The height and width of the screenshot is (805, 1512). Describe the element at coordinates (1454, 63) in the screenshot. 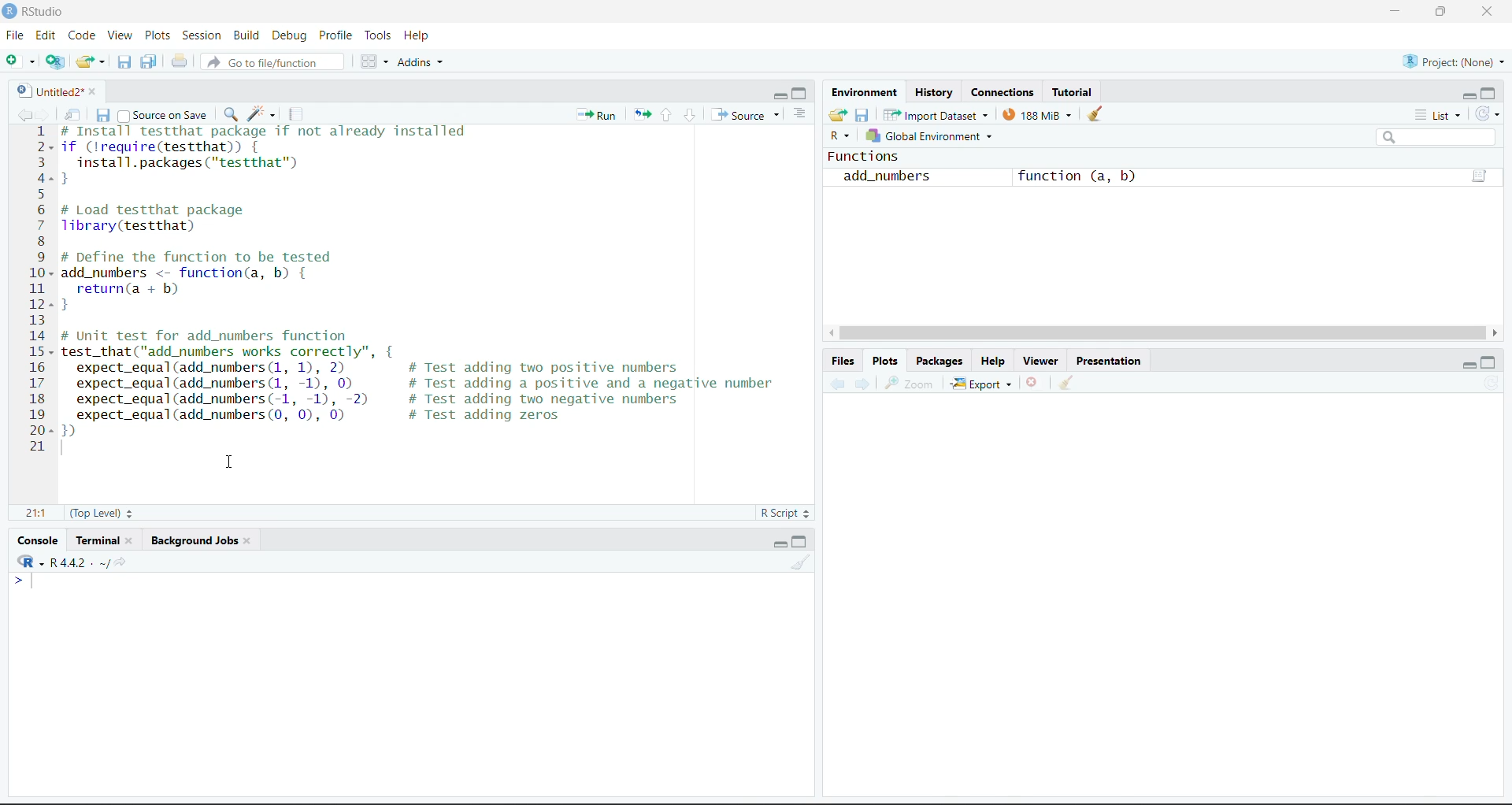

I see `Project(None)` at that location.